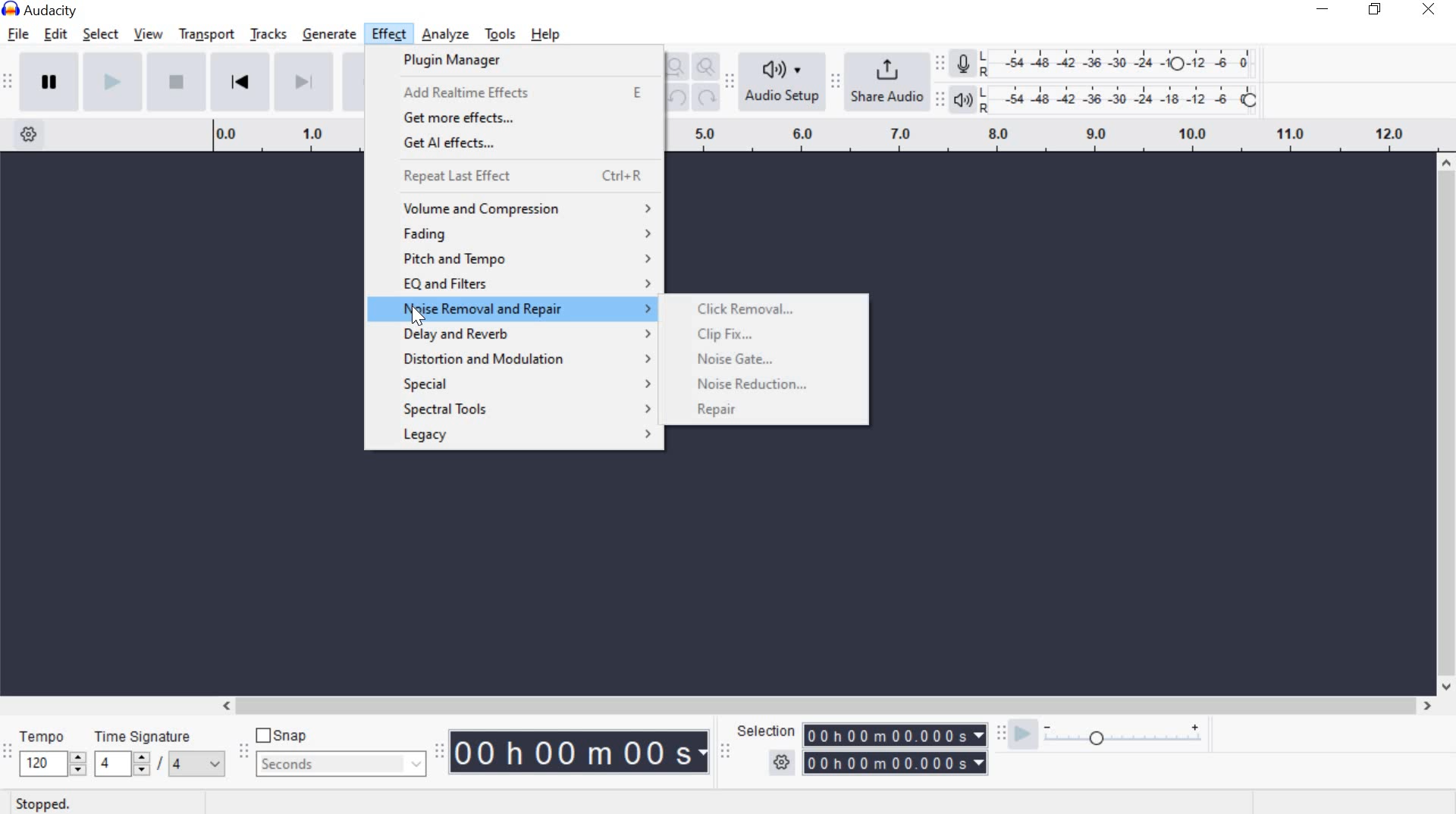 This screenshot has height=814, width=1456. What do you see at coordinates (525, 284) in the screenshot?
I see `eq and filters` at bounding box center [525, 284].